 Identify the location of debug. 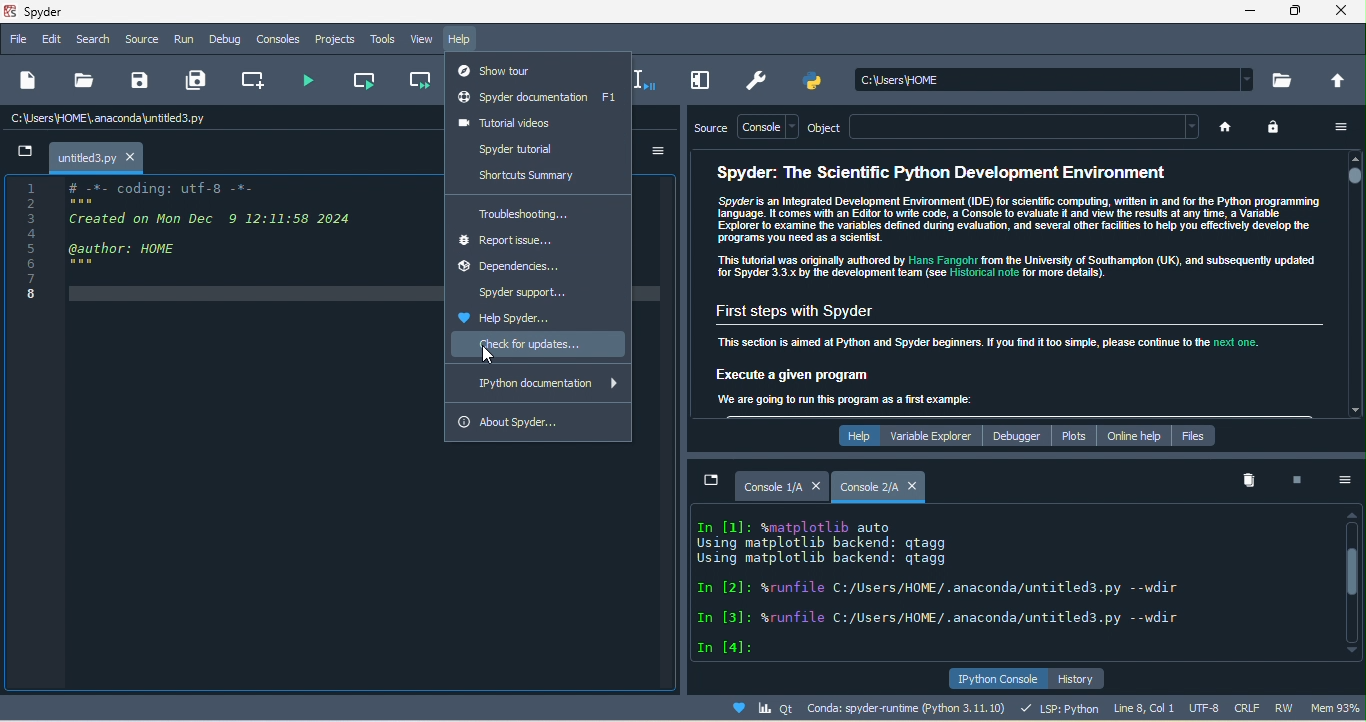
(222, 40).